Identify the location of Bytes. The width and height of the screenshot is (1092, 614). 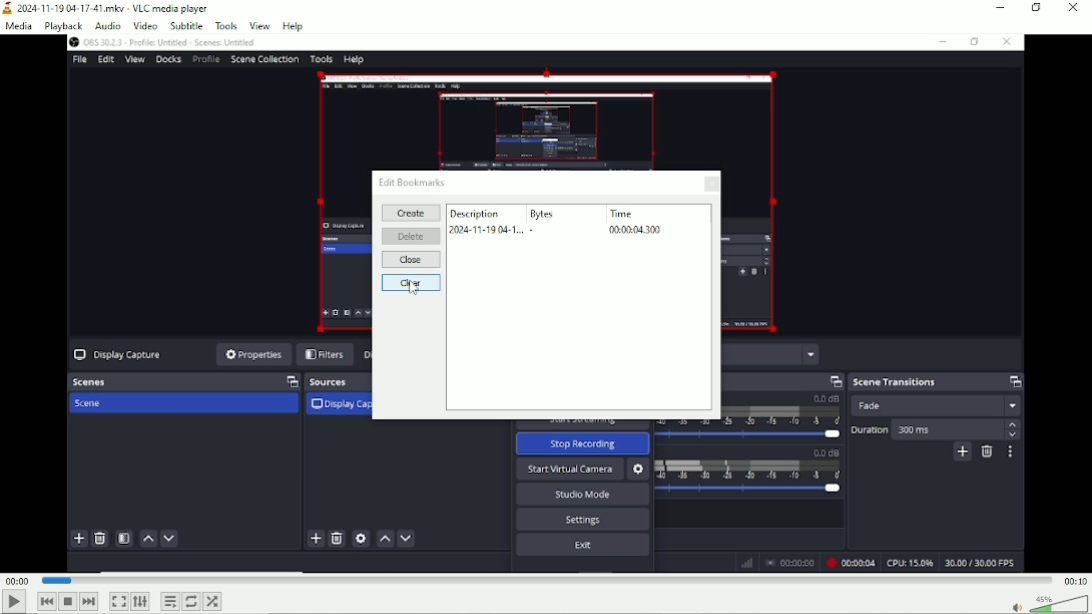
(545, 220).